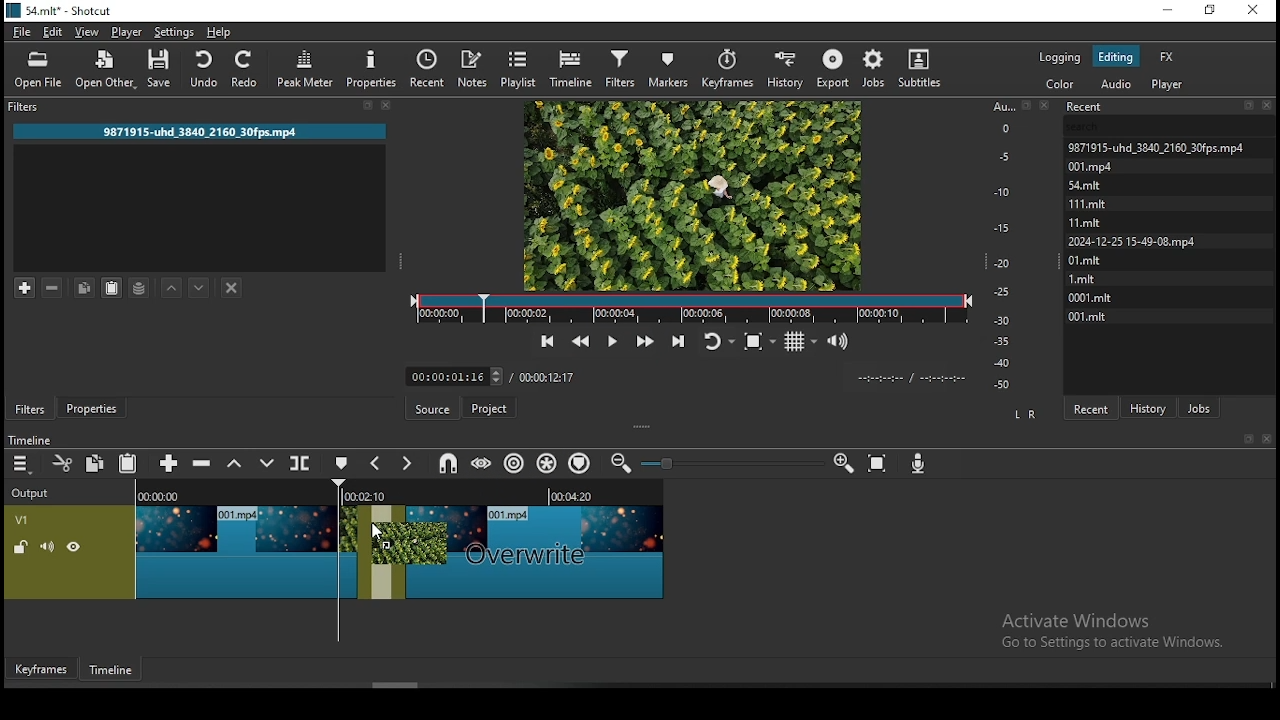 The image size is (1280, 720). What do you see at coordinates (89, 409) in the screenshot?
I see `properties` at bounding box center [89, 409].